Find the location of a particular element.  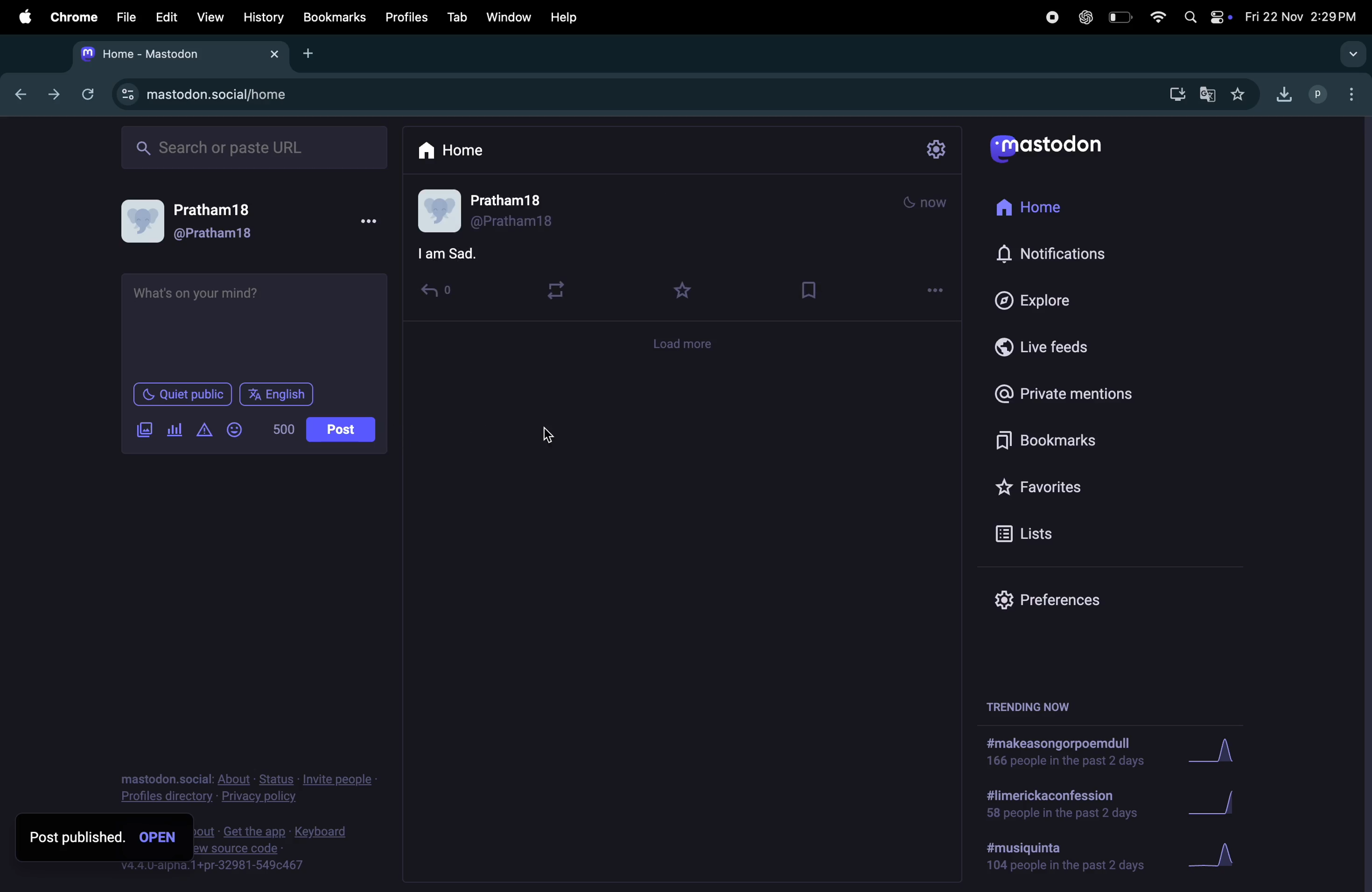

line of words is located at coordinates (281, 430).